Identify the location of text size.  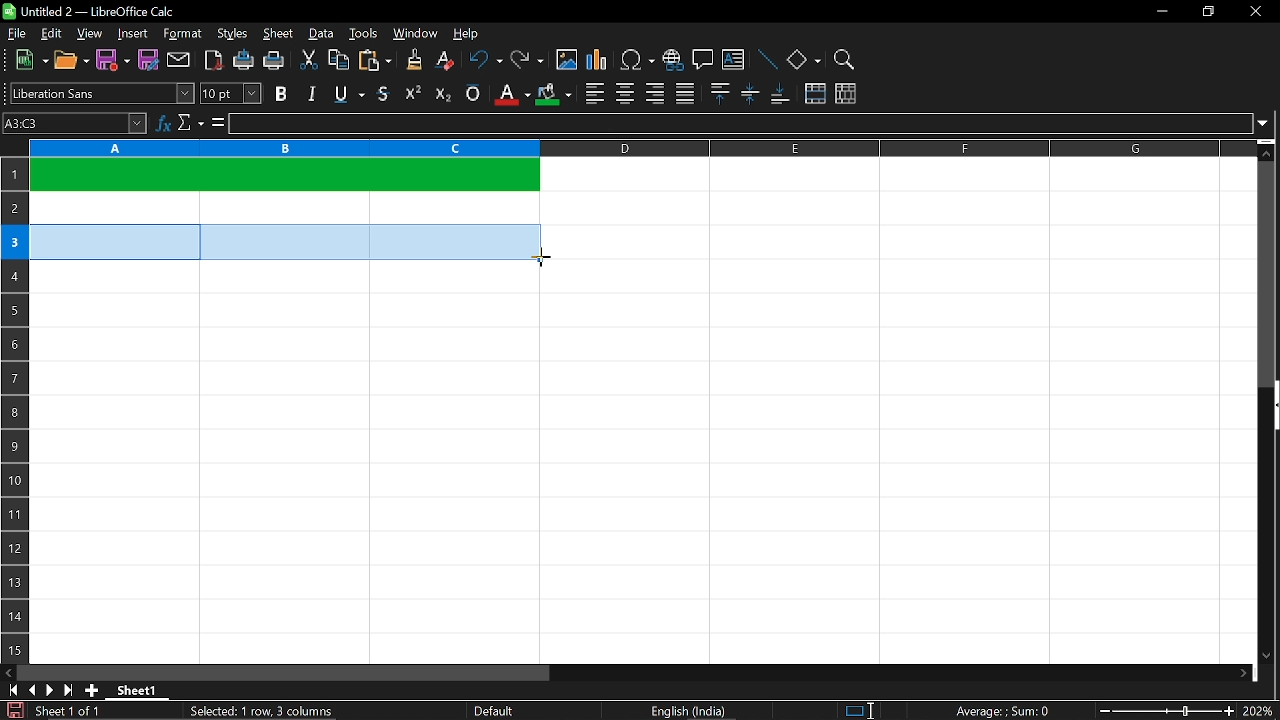
(231, 93).